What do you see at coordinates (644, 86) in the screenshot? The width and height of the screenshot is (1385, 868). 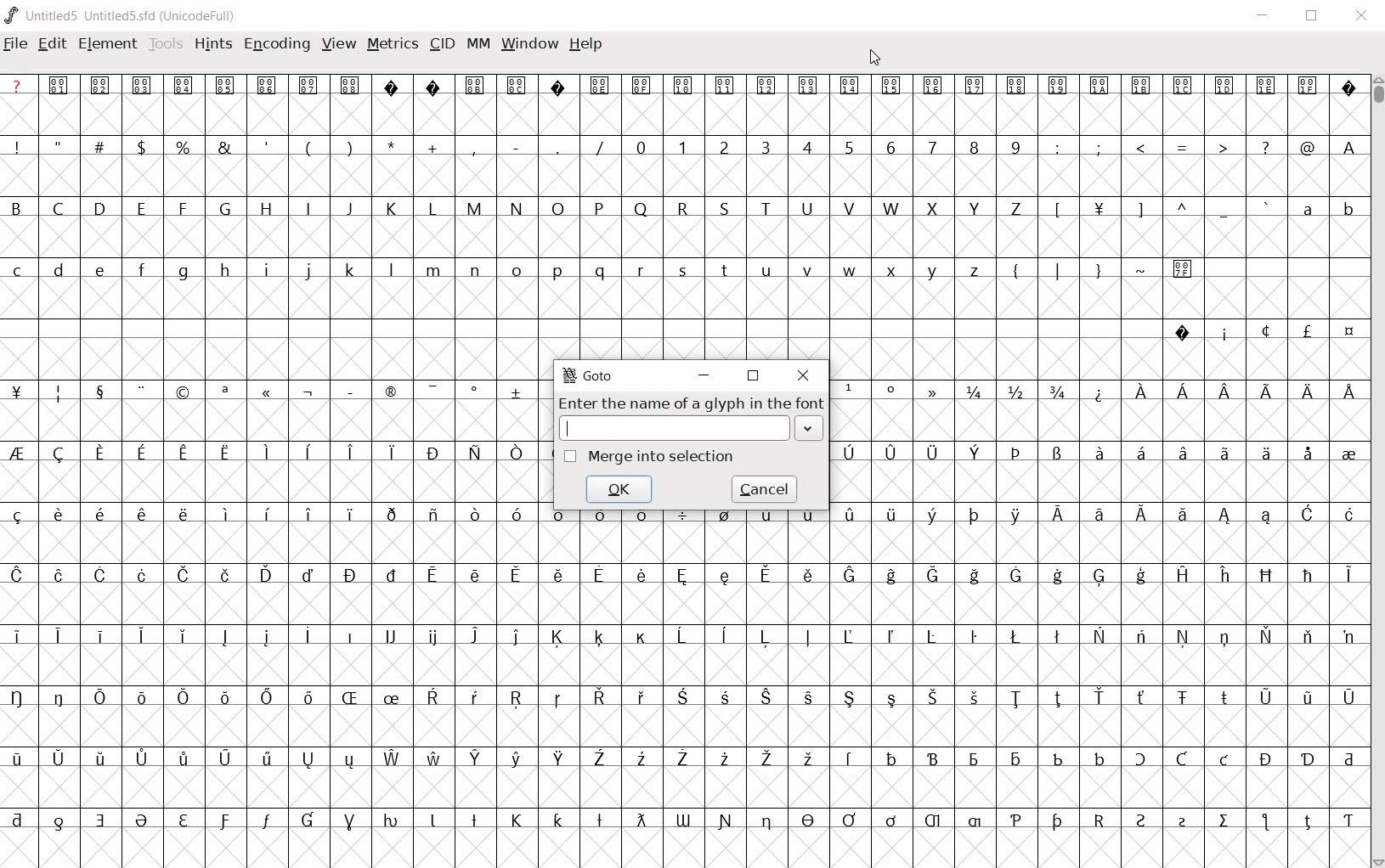 I see `Symbol` at bounding box center [644, 86].